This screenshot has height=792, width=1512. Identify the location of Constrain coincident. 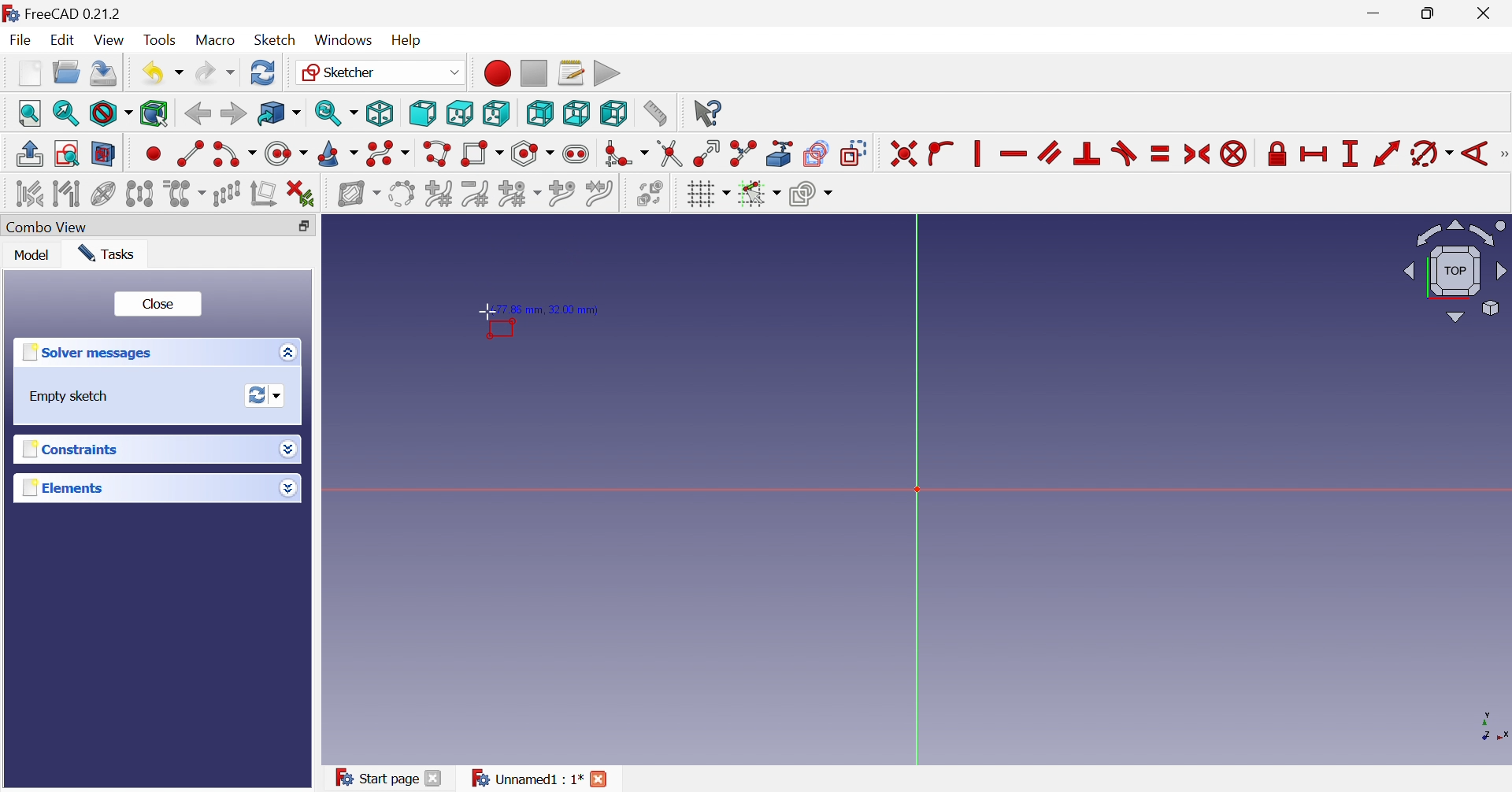
(903, 154).